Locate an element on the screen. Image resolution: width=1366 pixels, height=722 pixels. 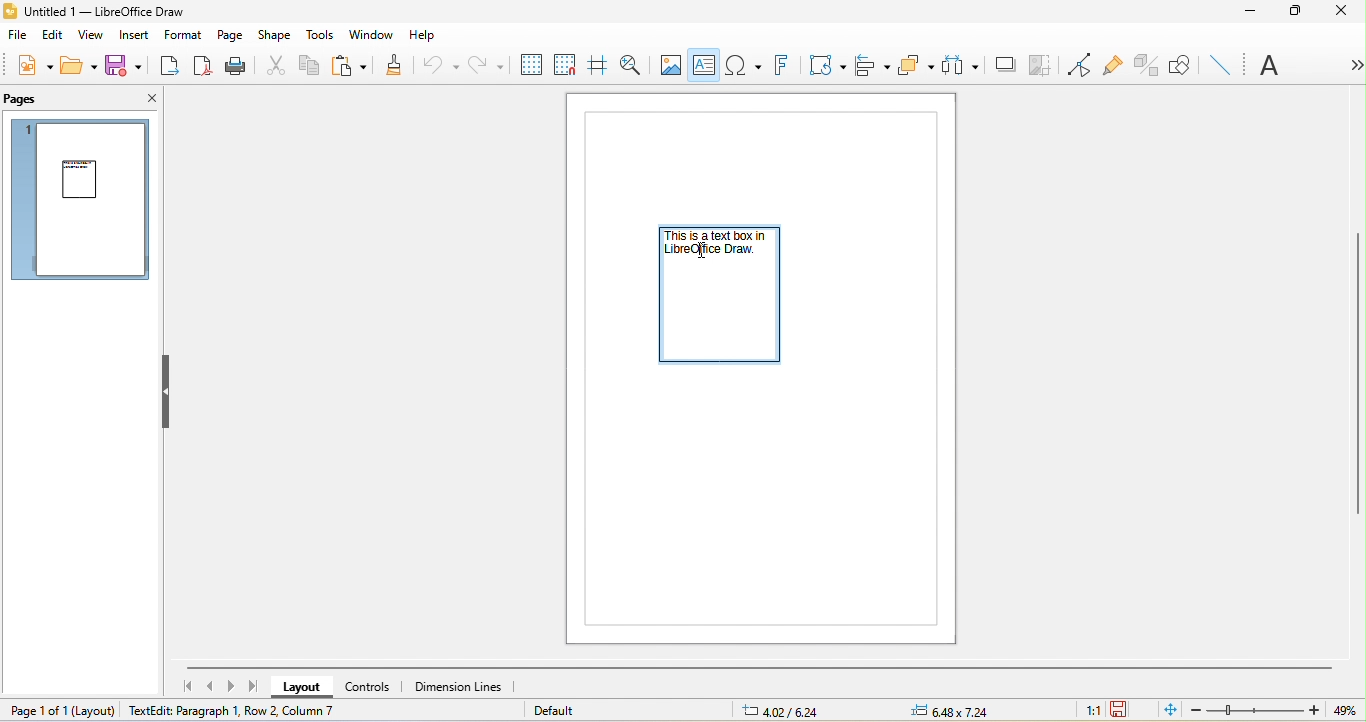
cut is located at coordinates (274, 64).